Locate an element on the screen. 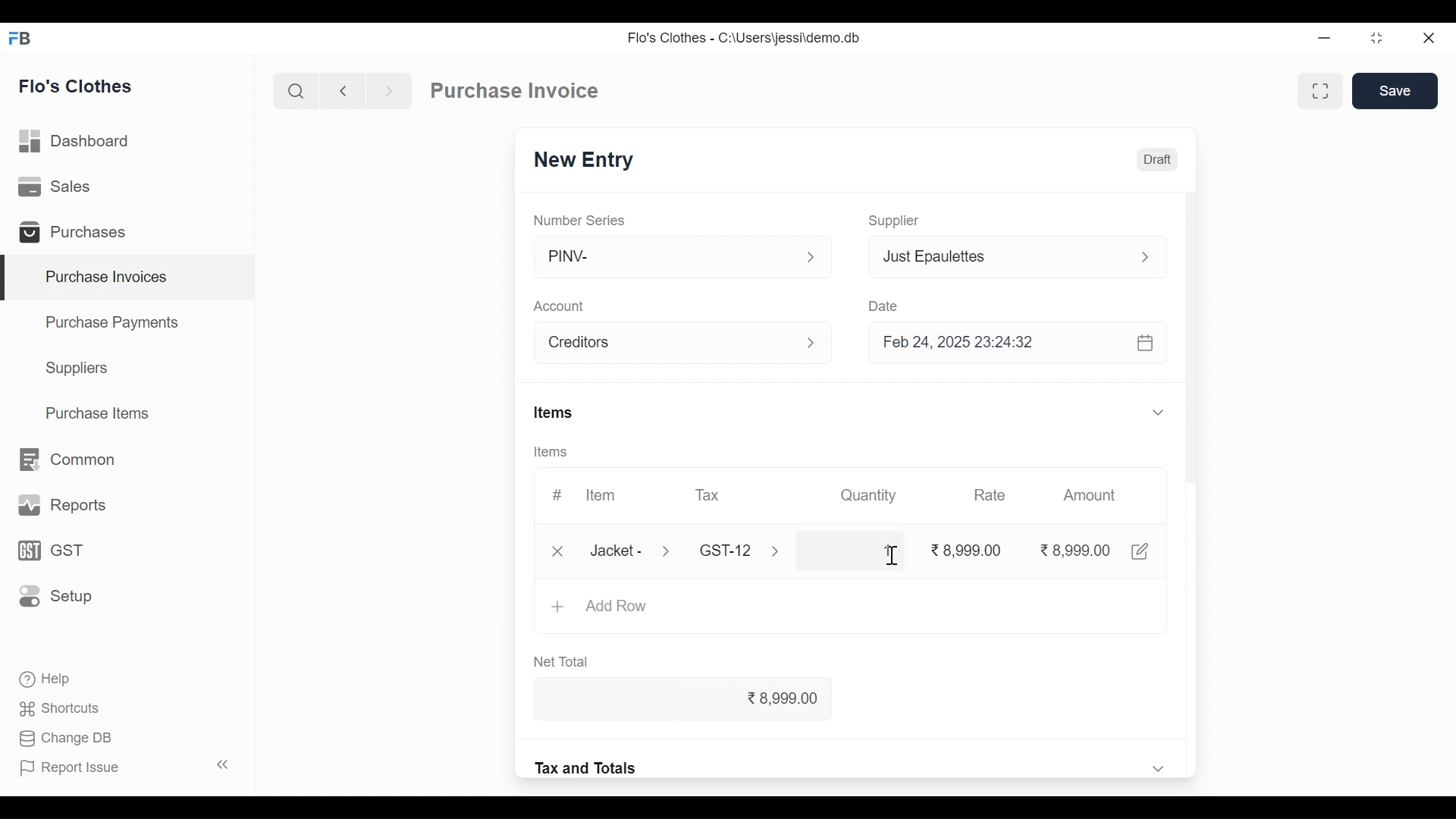 The height and width of the screenshot is (819, 1456). Sales is located at coordinates (61, 188).